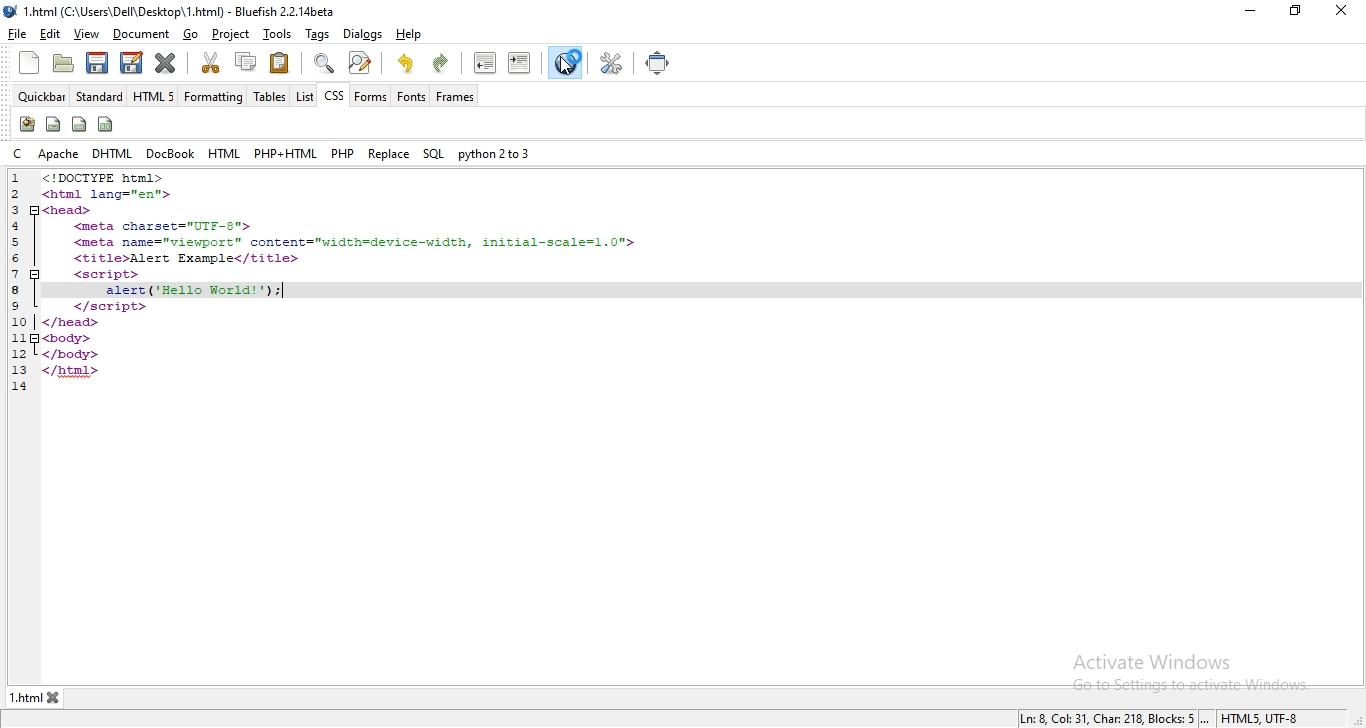 This screenshot has height=728, width=1366. Describe the element at coordinates (1183, 687) in the screenshot. I see `go to settings to activate  windows` at that location.